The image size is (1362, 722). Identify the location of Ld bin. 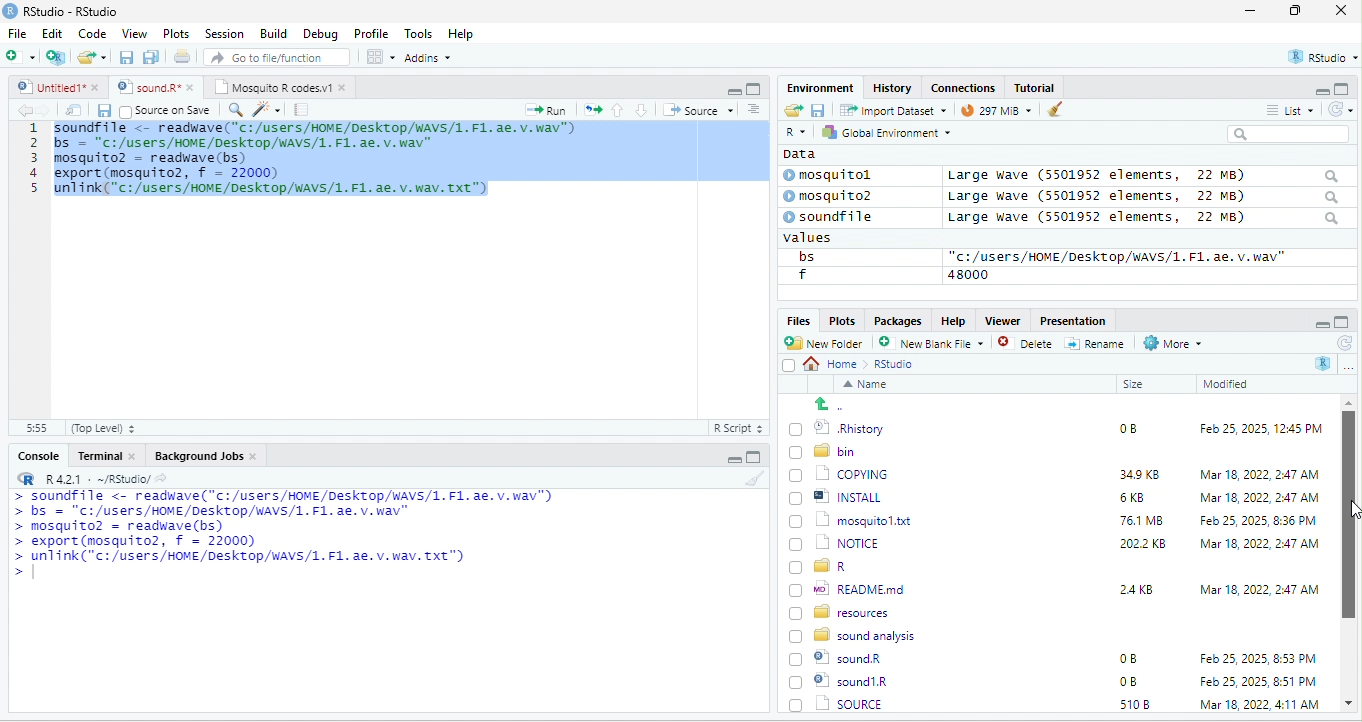
(825, 450).